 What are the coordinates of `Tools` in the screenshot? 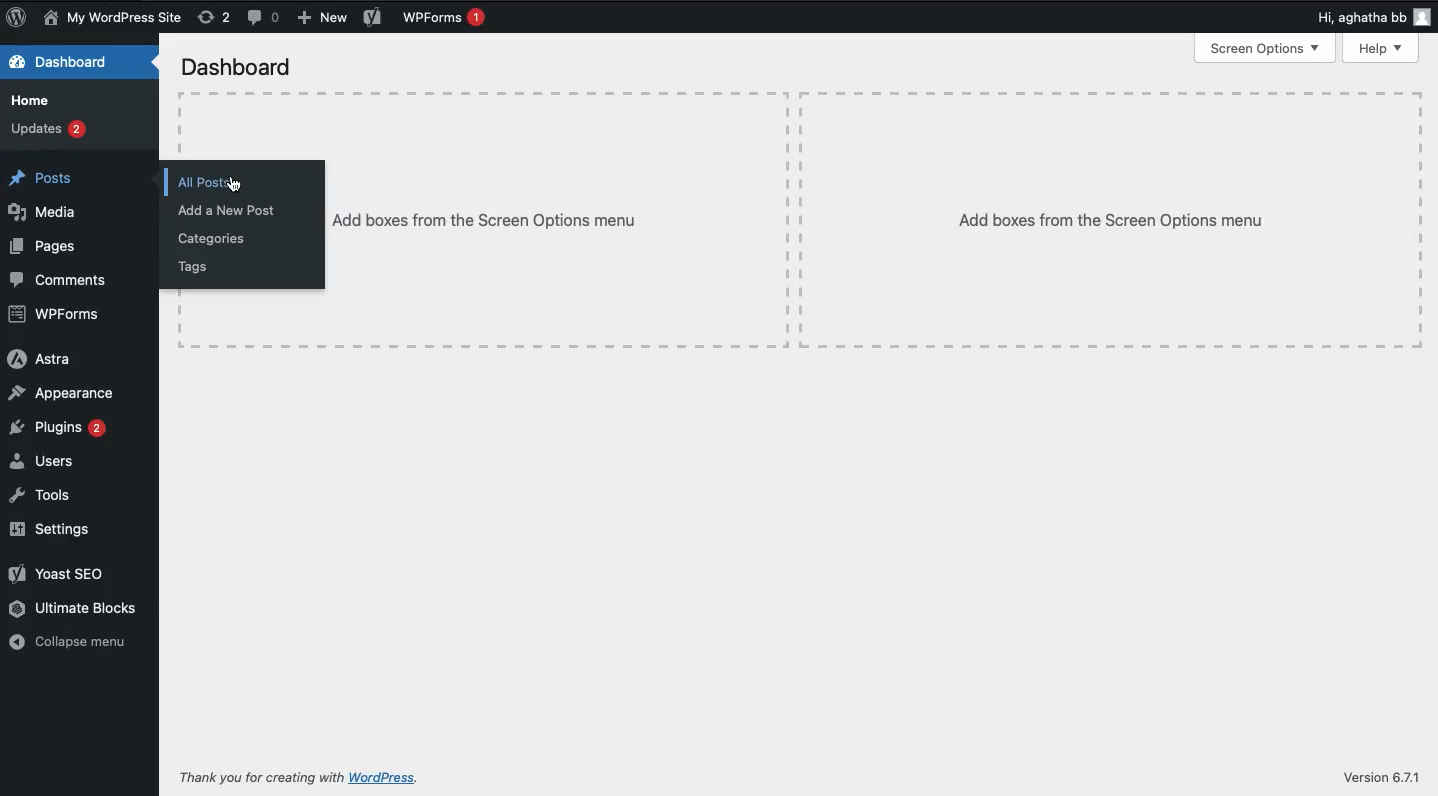 It's located at (43, 494).